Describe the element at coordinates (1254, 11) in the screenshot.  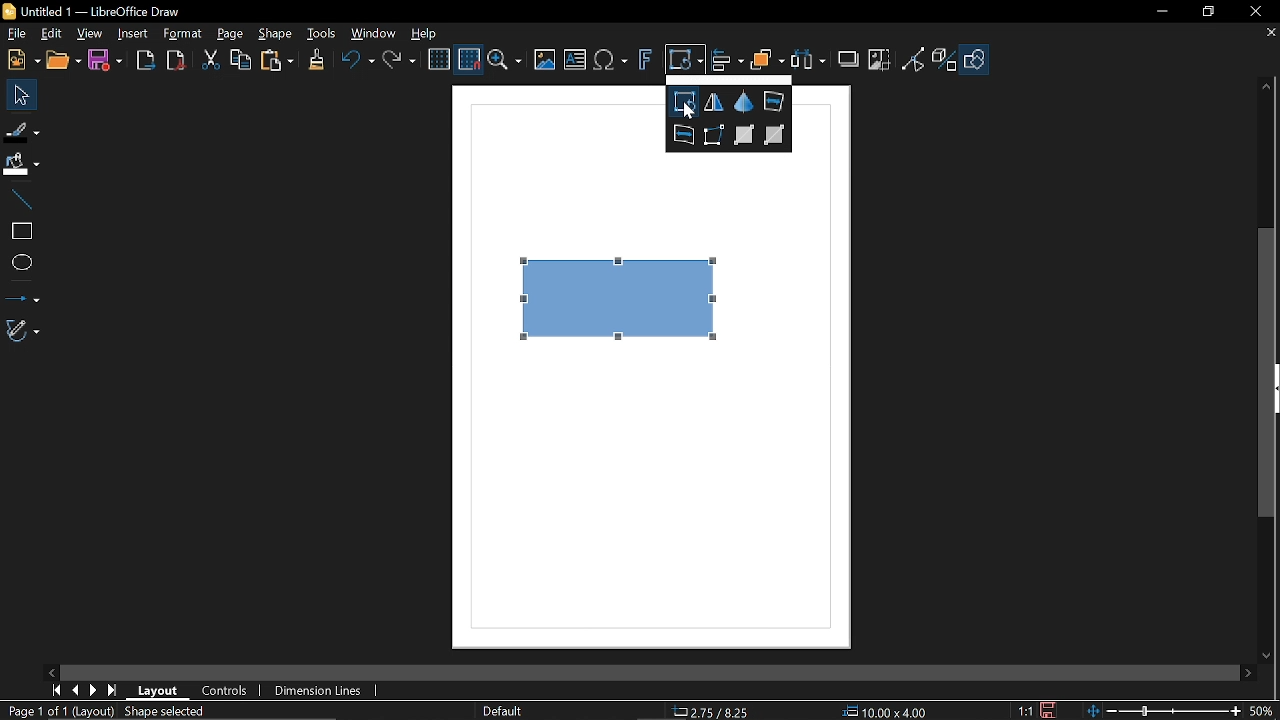
I see `Close window` at that location.